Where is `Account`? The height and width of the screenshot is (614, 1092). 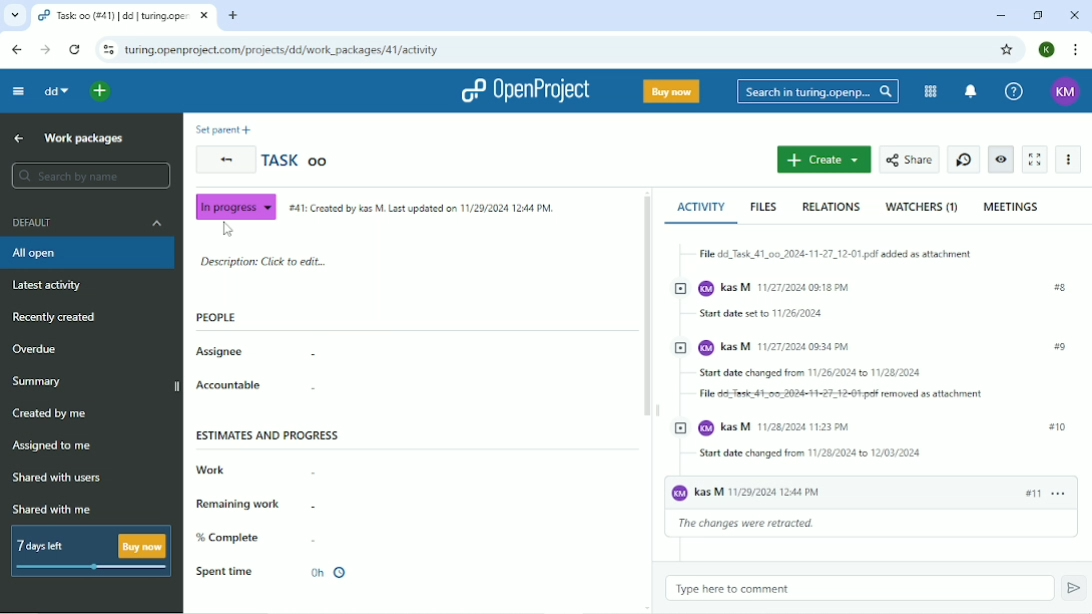 Account is located at coordinates (1065, 92).